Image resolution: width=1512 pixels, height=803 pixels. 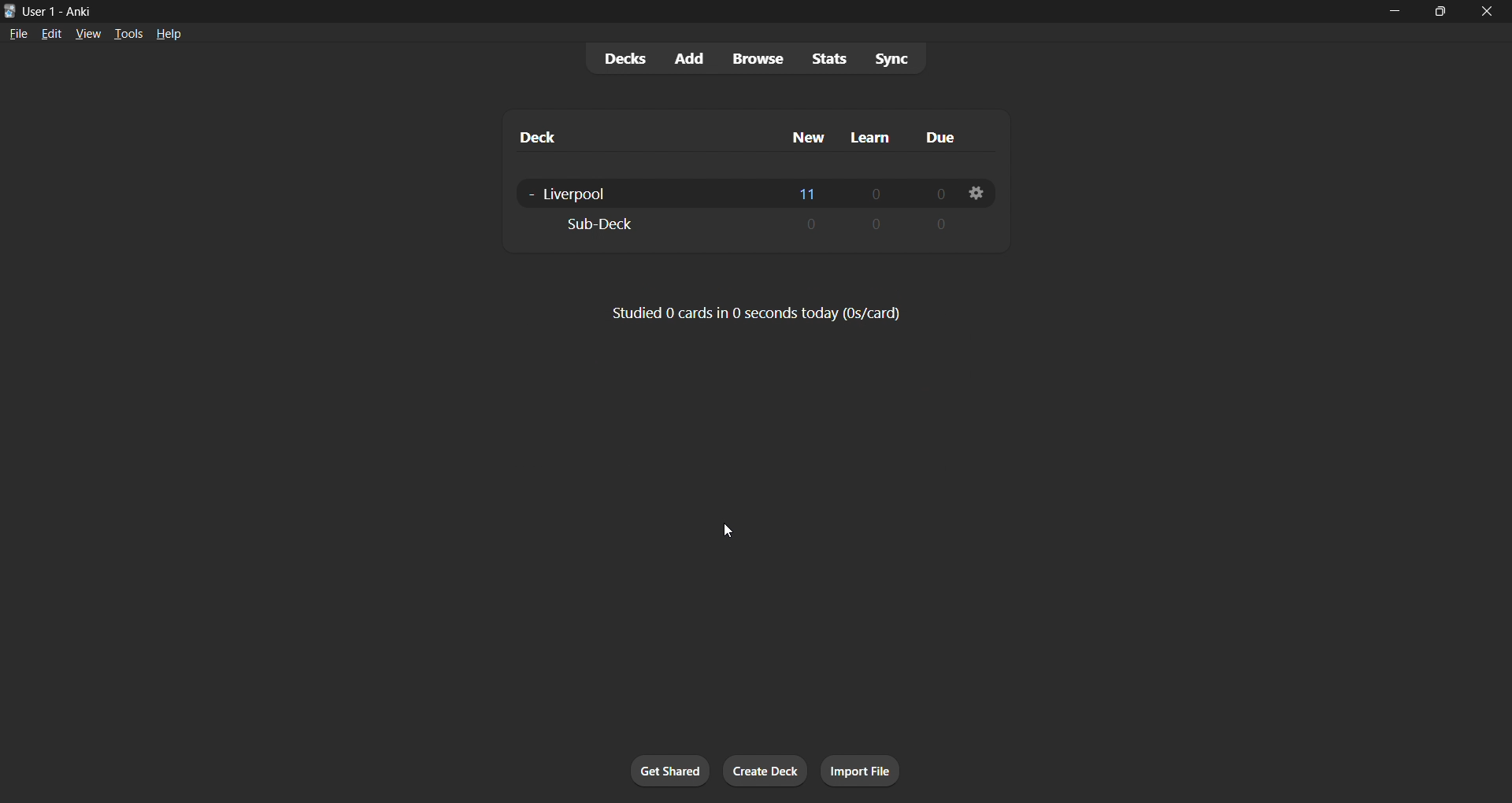 What do you see at coordinates (636, 137) in the screenshot?
I see `deck column` at bounding box center [636, 137].